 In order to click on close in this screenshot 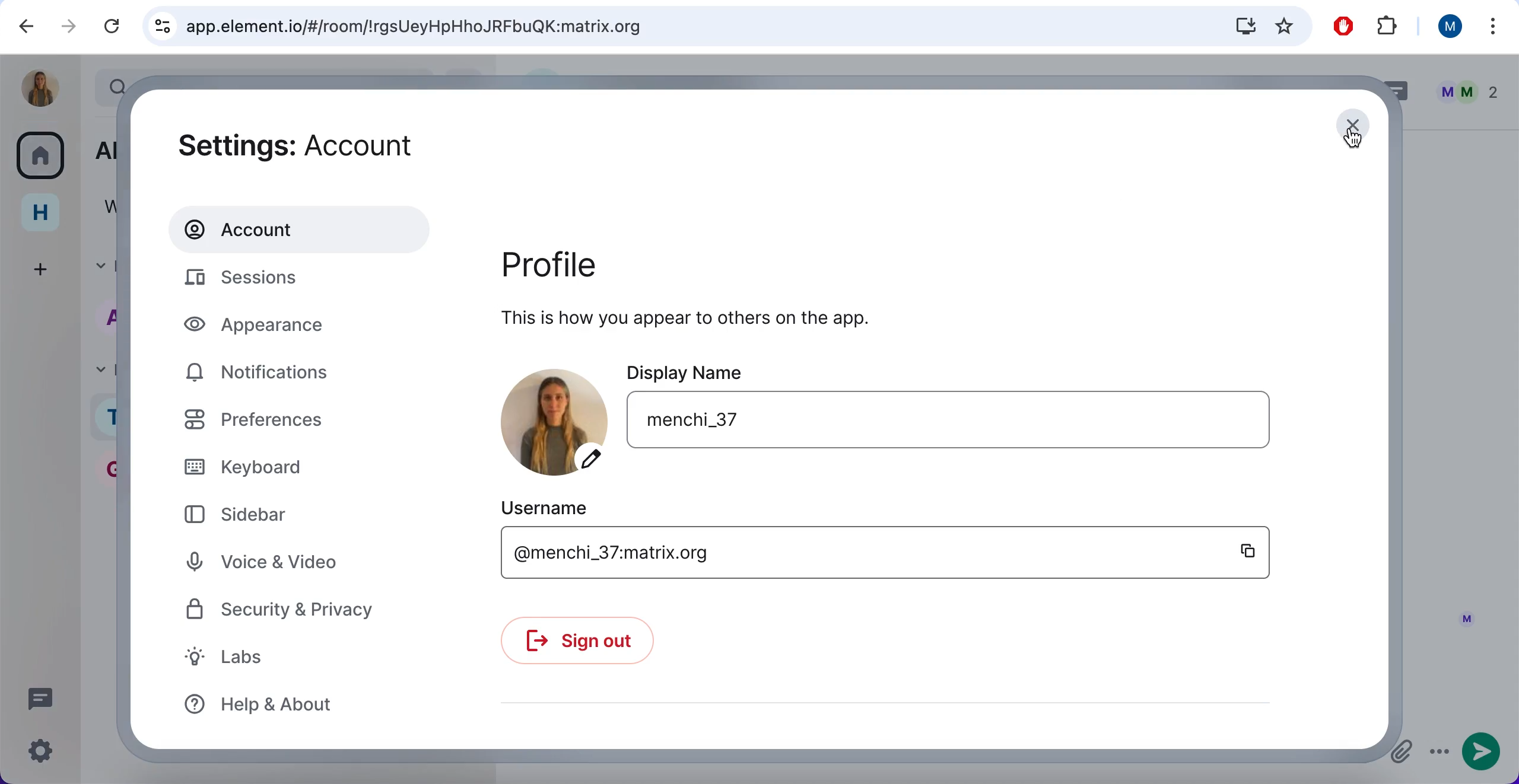, I will do `click(1353, 125)`.